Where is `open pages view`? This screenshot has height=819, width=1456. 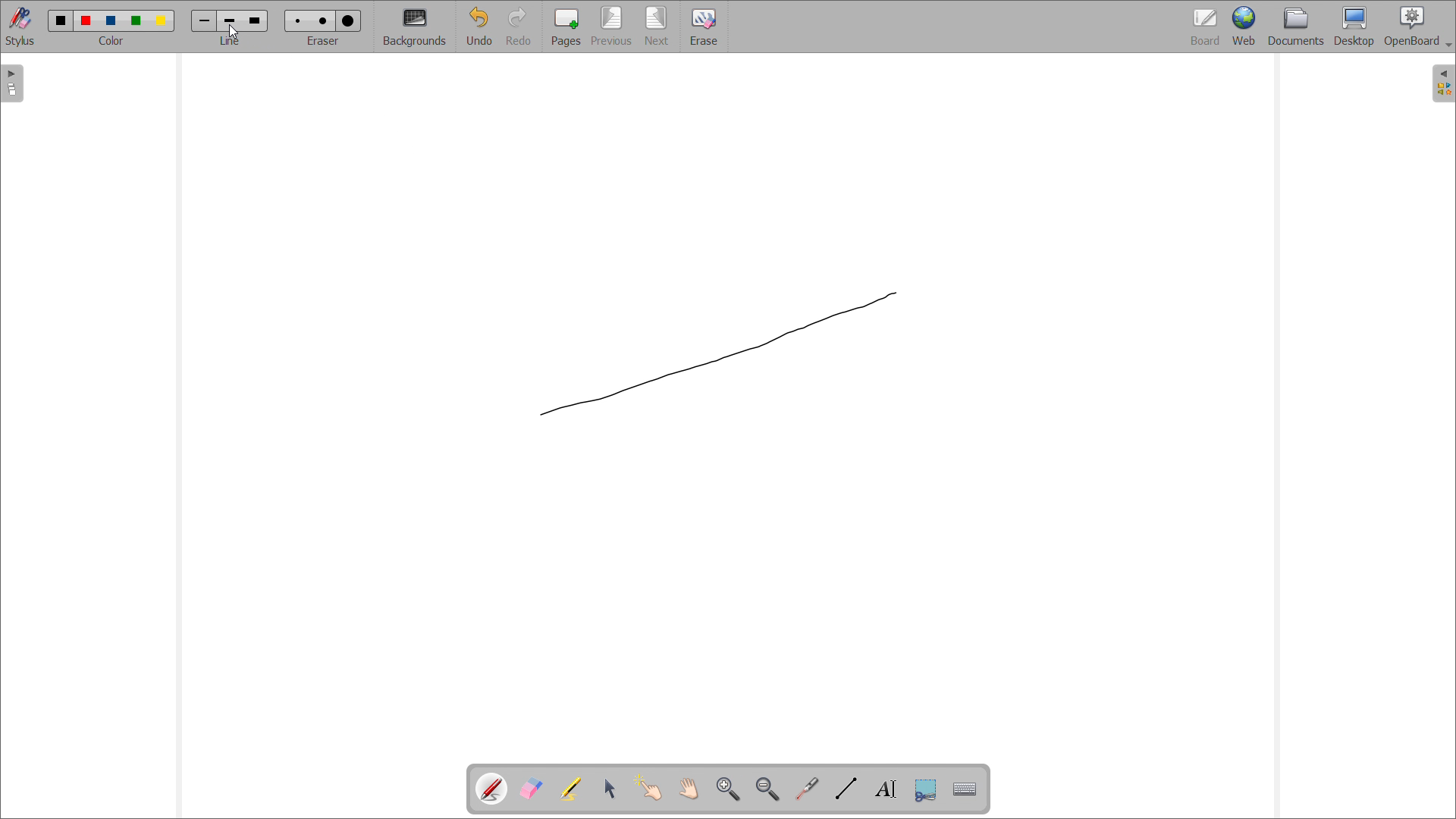
open pages view is located at coordinates (13, 83).